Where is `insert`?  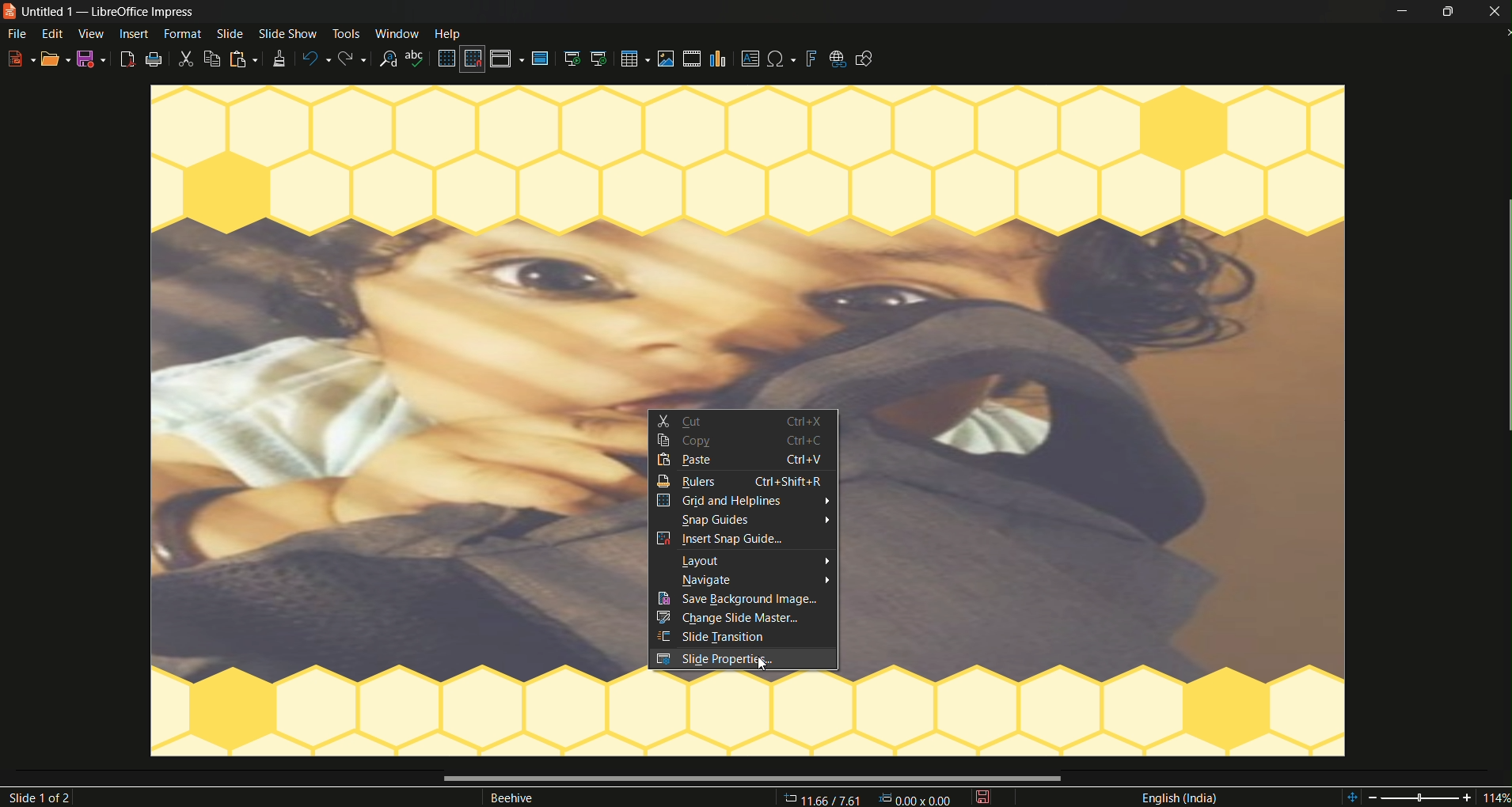
insert is located at coordinates (133, 33).